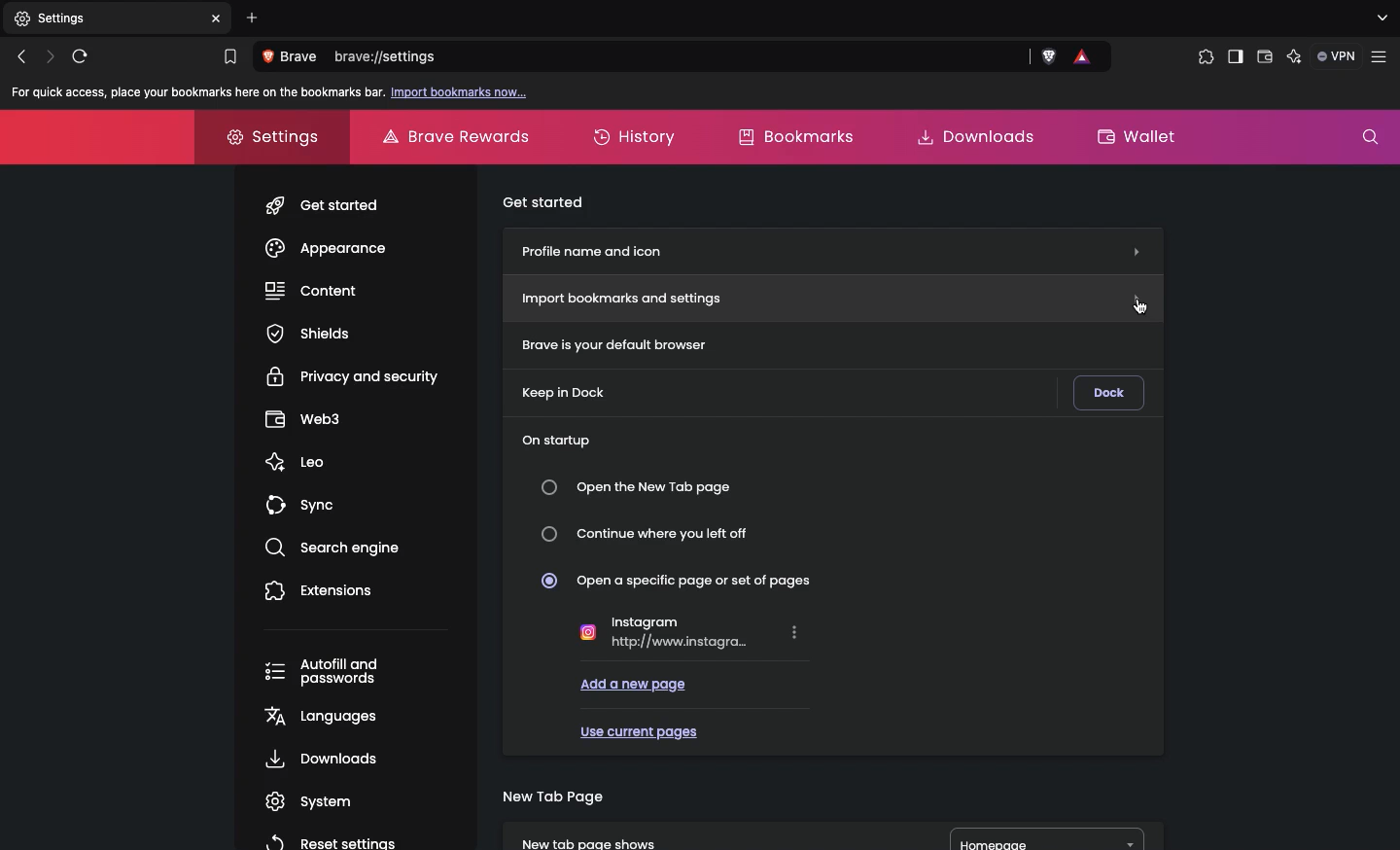 This screenshot has height=850, width=1400. I want to click on Click to go forward, hold to see history, so click(51, 55).